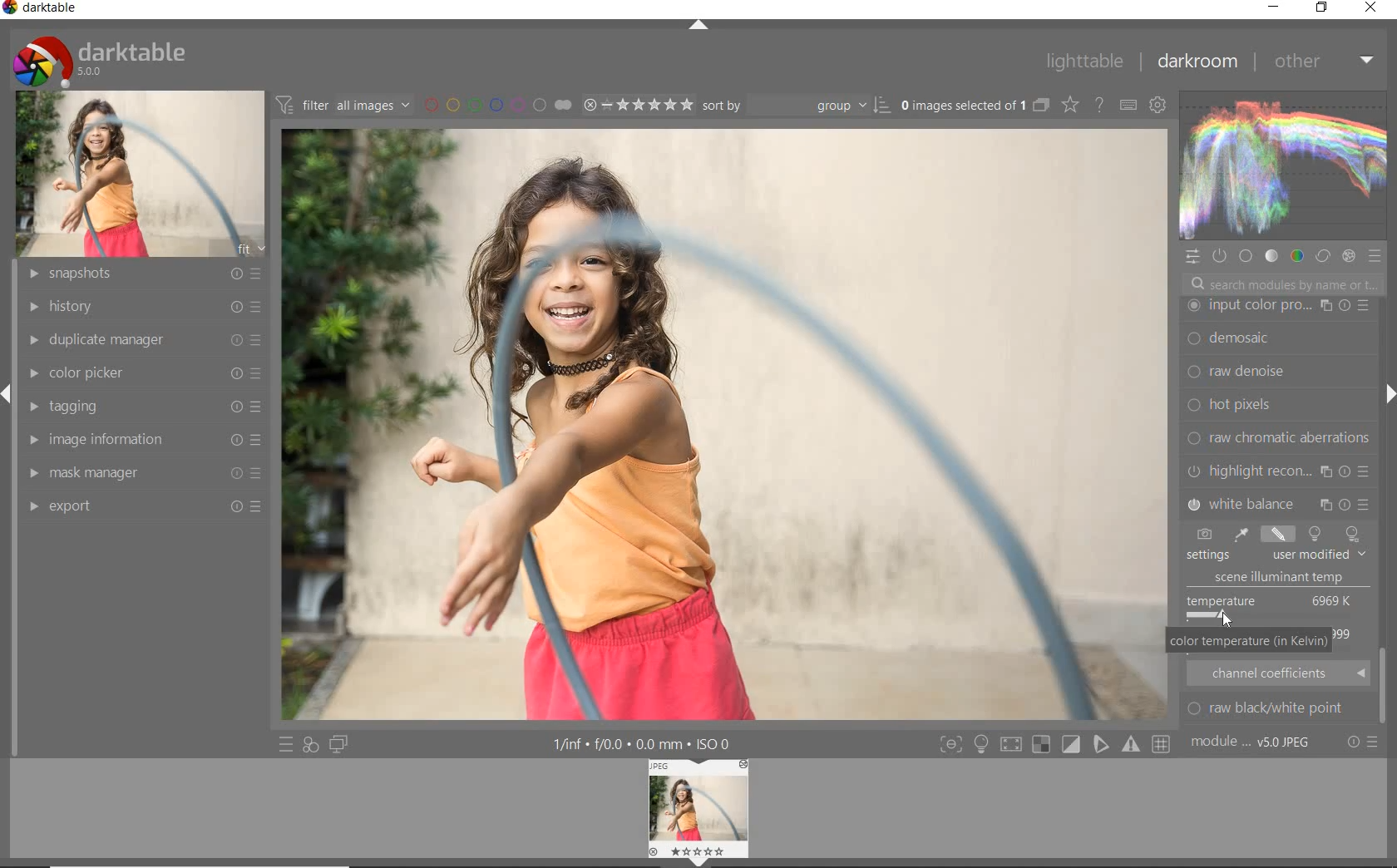 This screenshot has height=868, width=1397. I want to click on reset or preset preference, so click(1363, 745).